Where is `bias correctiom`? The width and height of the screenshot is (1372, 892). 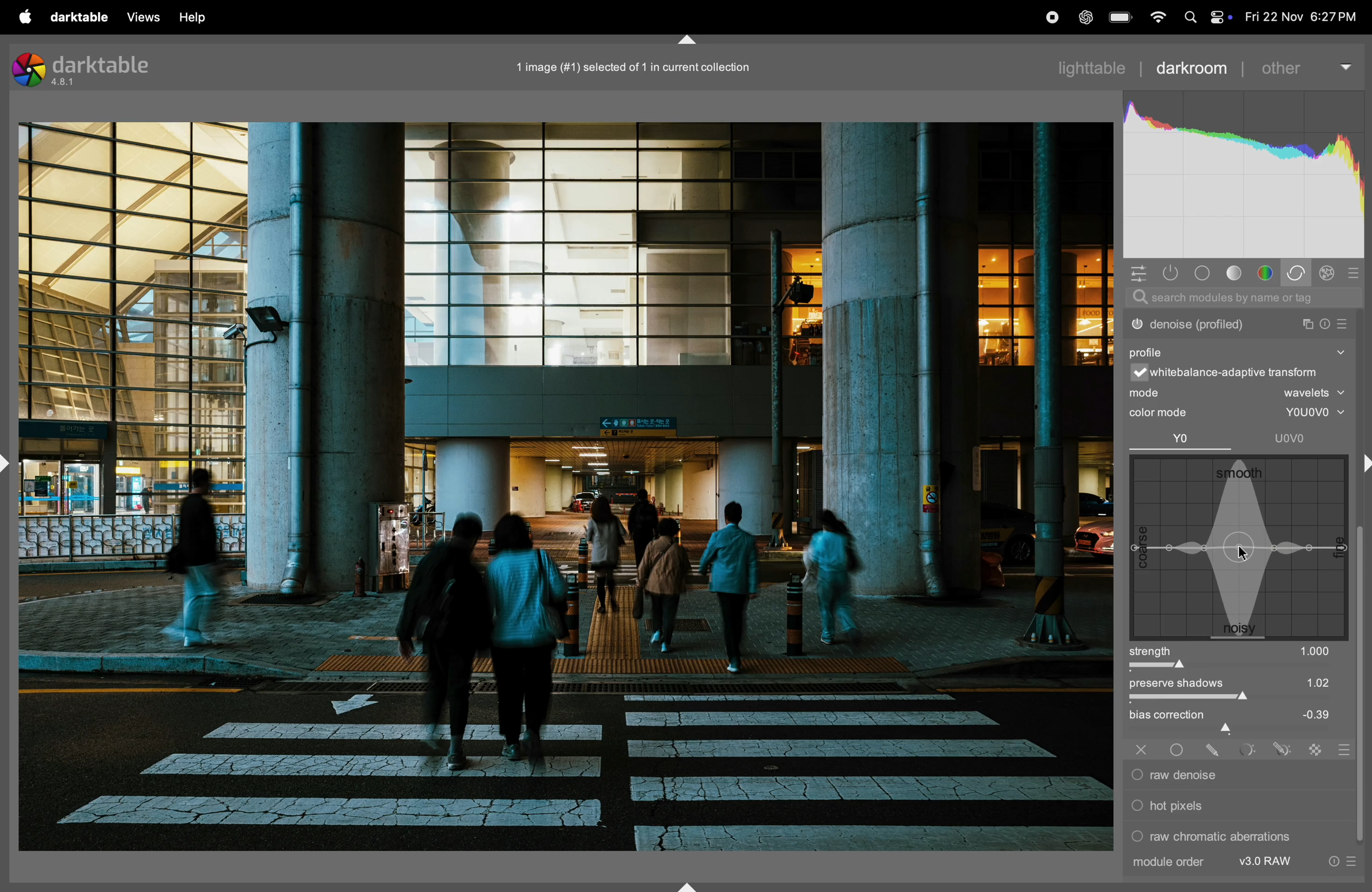
bias correctiom is located at coordinates (1234, 721).